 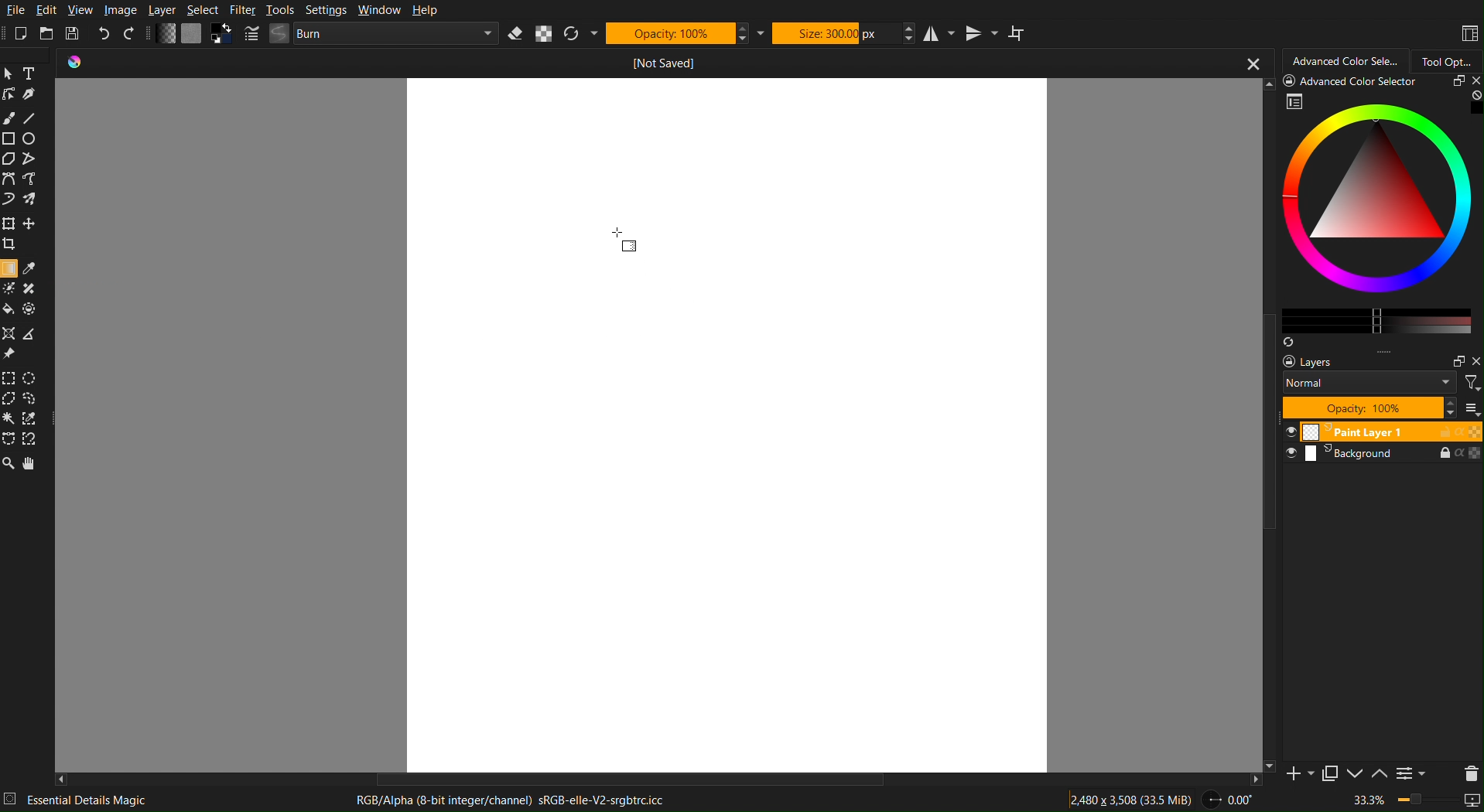 I want to click on selected Gradient Tool, so click(x=10, y=268).